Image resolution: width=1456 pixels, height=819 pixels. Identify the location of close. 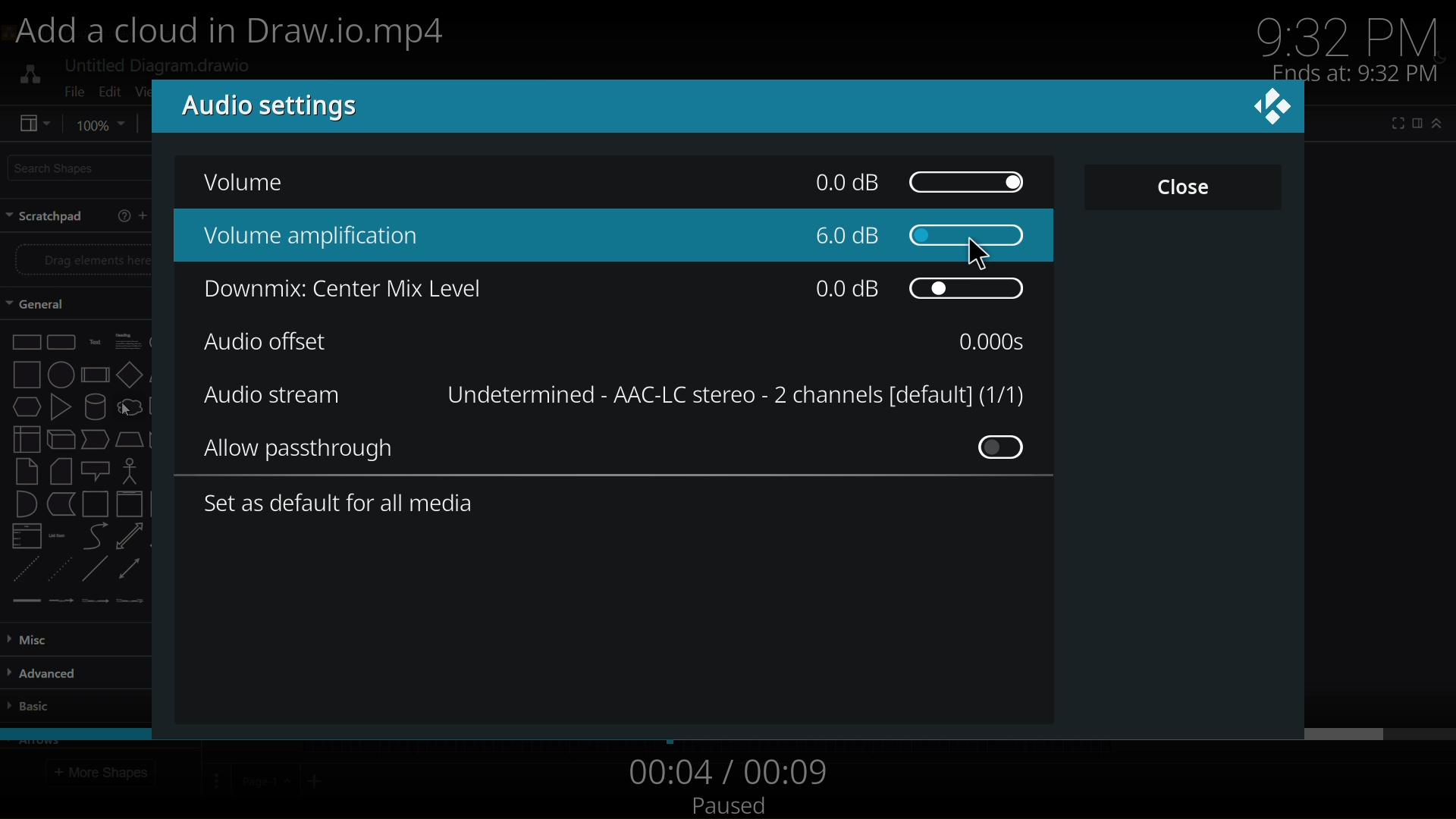
(1184, 185).